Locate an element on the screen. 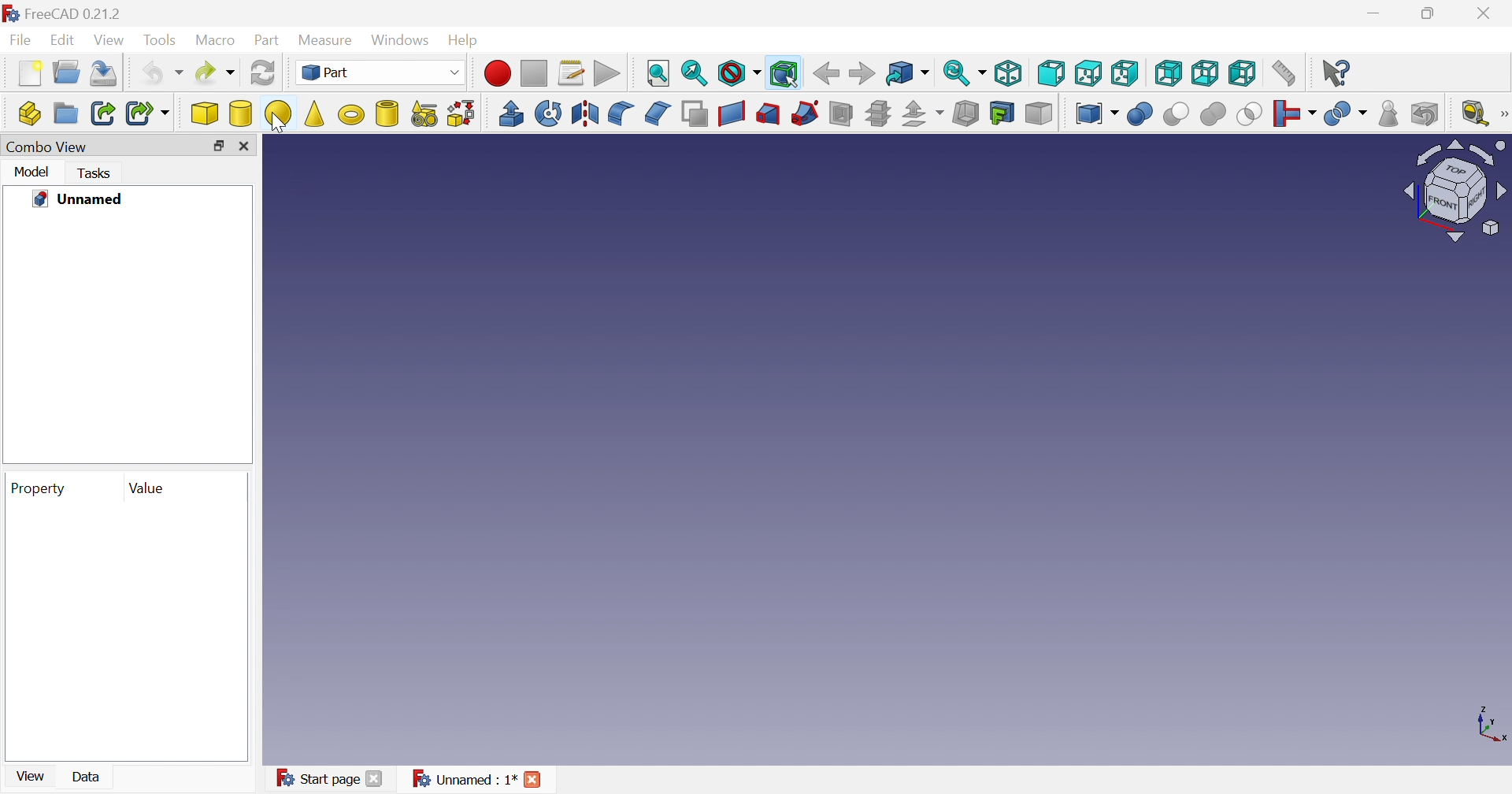 Image resolution: width=1512 pixels, height=794 pixels. Forward is located at coordinates (862, 75).